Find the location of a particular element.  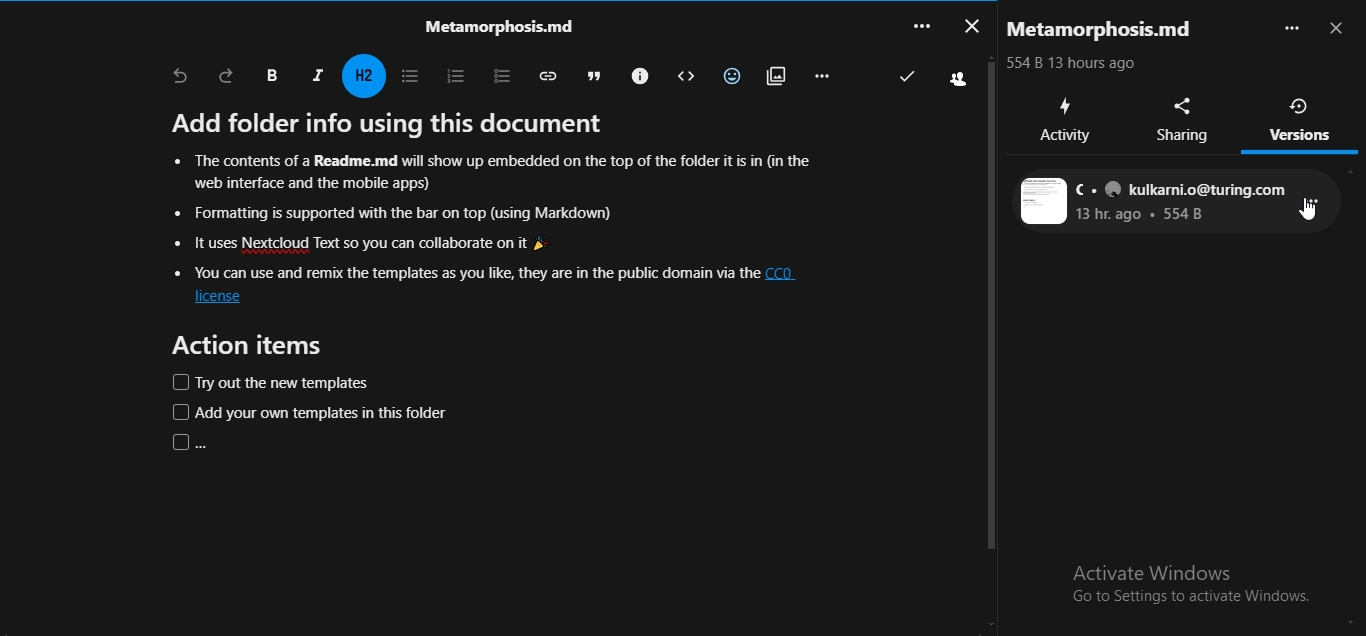

sharing is located at coordinates (1186, 120).